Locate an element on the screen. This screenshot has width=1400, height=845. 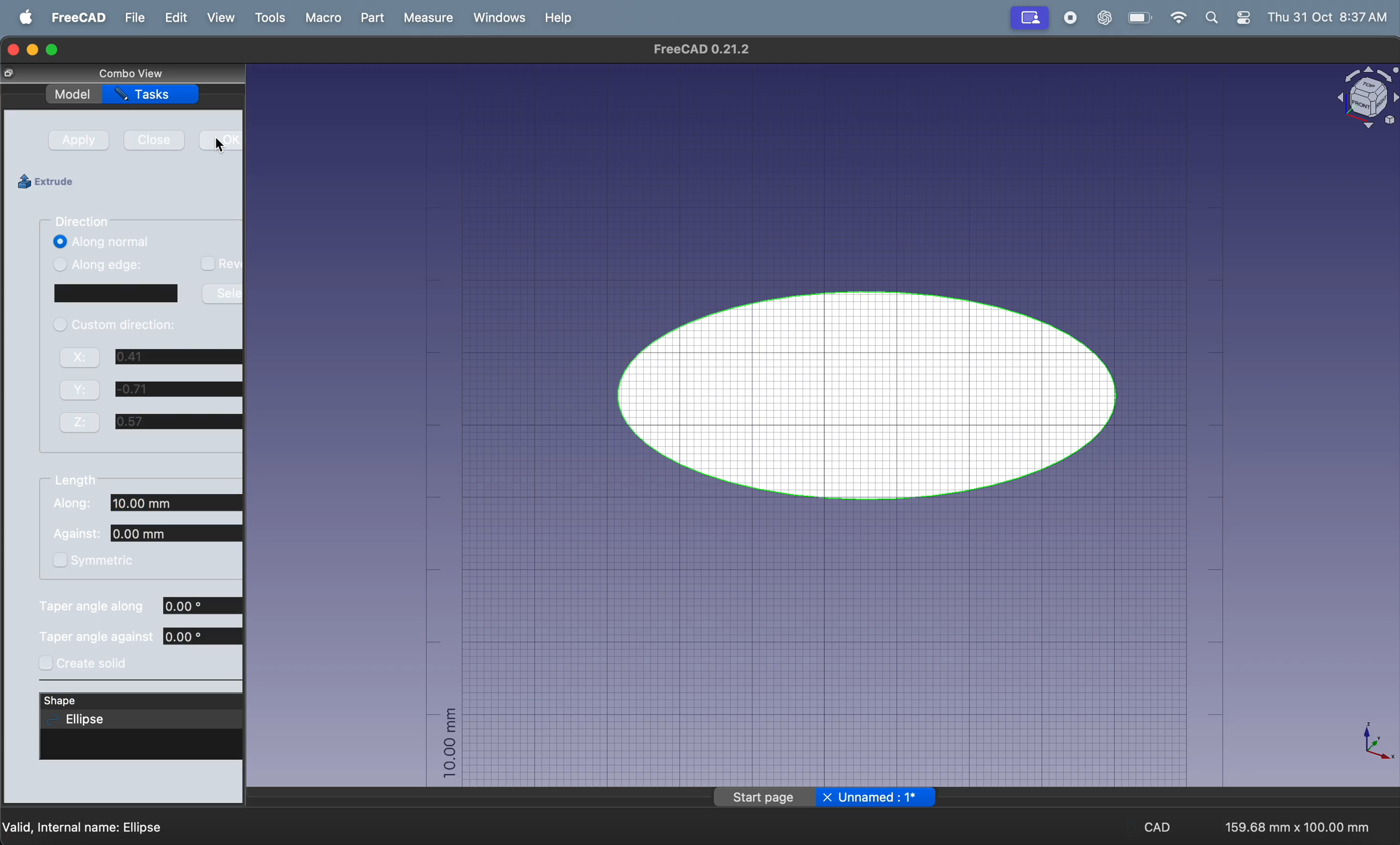
length is located at coordinates (77, 483).